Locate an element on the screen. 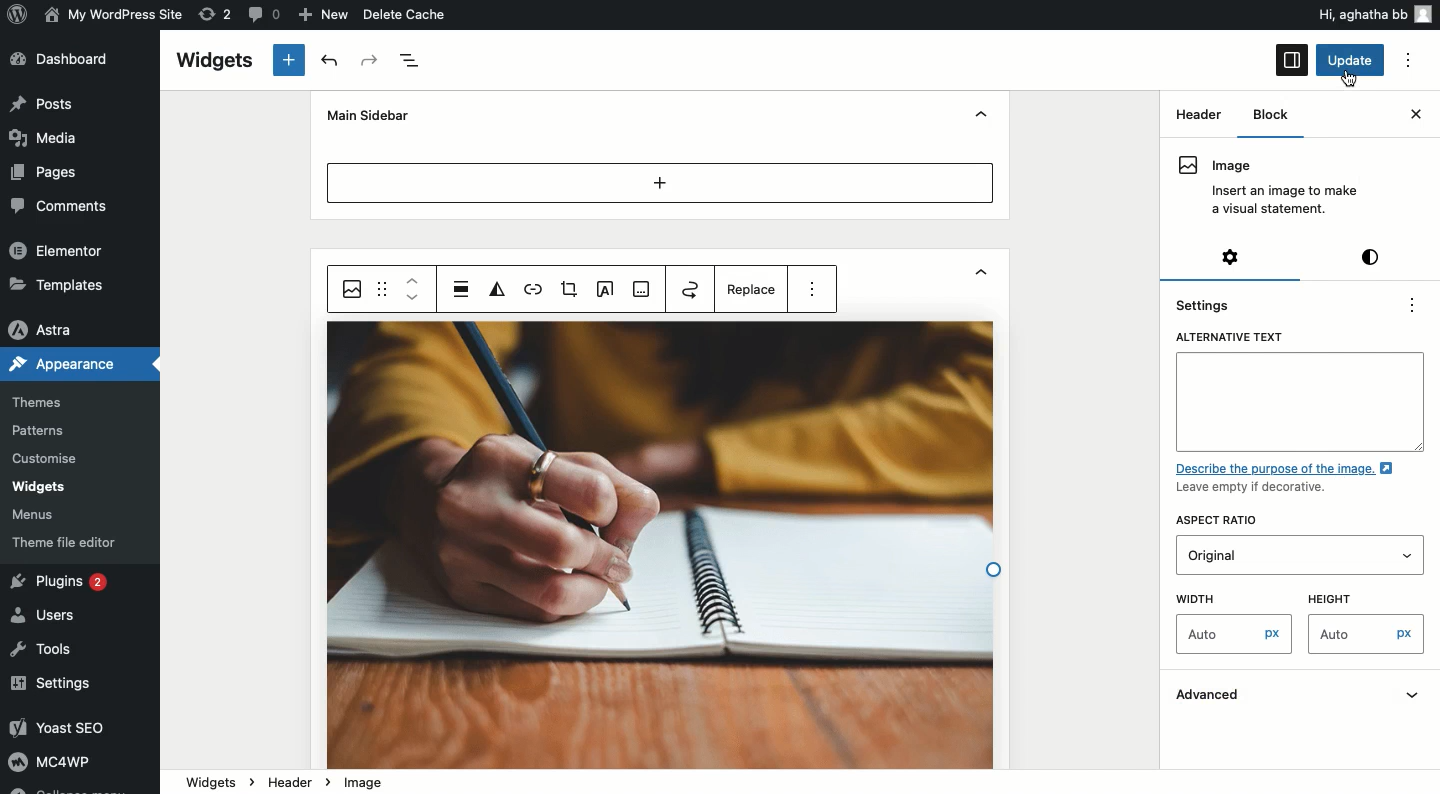 This screenshot has width=1440, height=794. Image is located at coordinates (1267, 187).